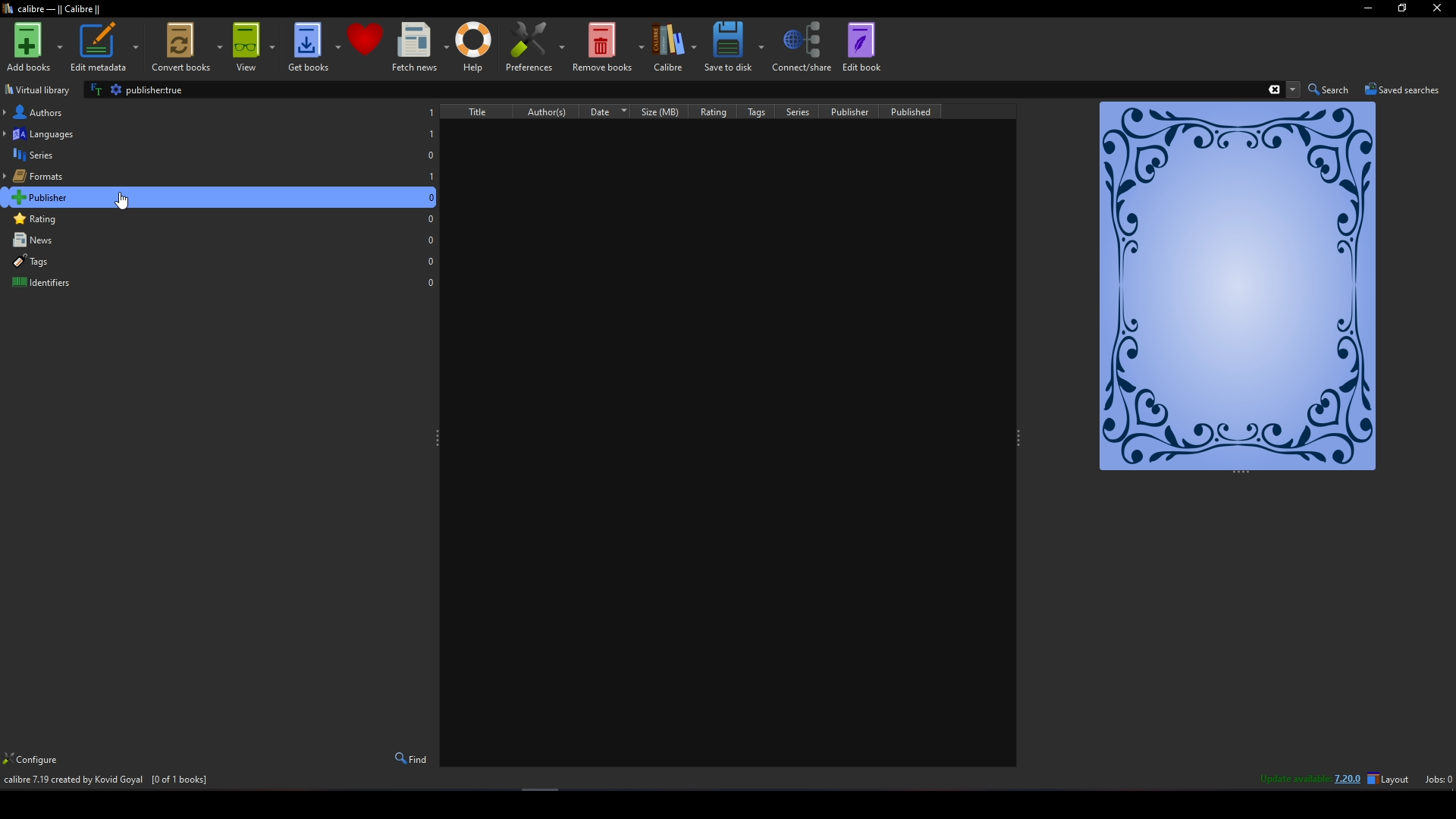 The height and width of the screenshot is (819, 1456). Describe the element at coordinates (535, 46) in the screenshot. I see `Preferences` at that location.